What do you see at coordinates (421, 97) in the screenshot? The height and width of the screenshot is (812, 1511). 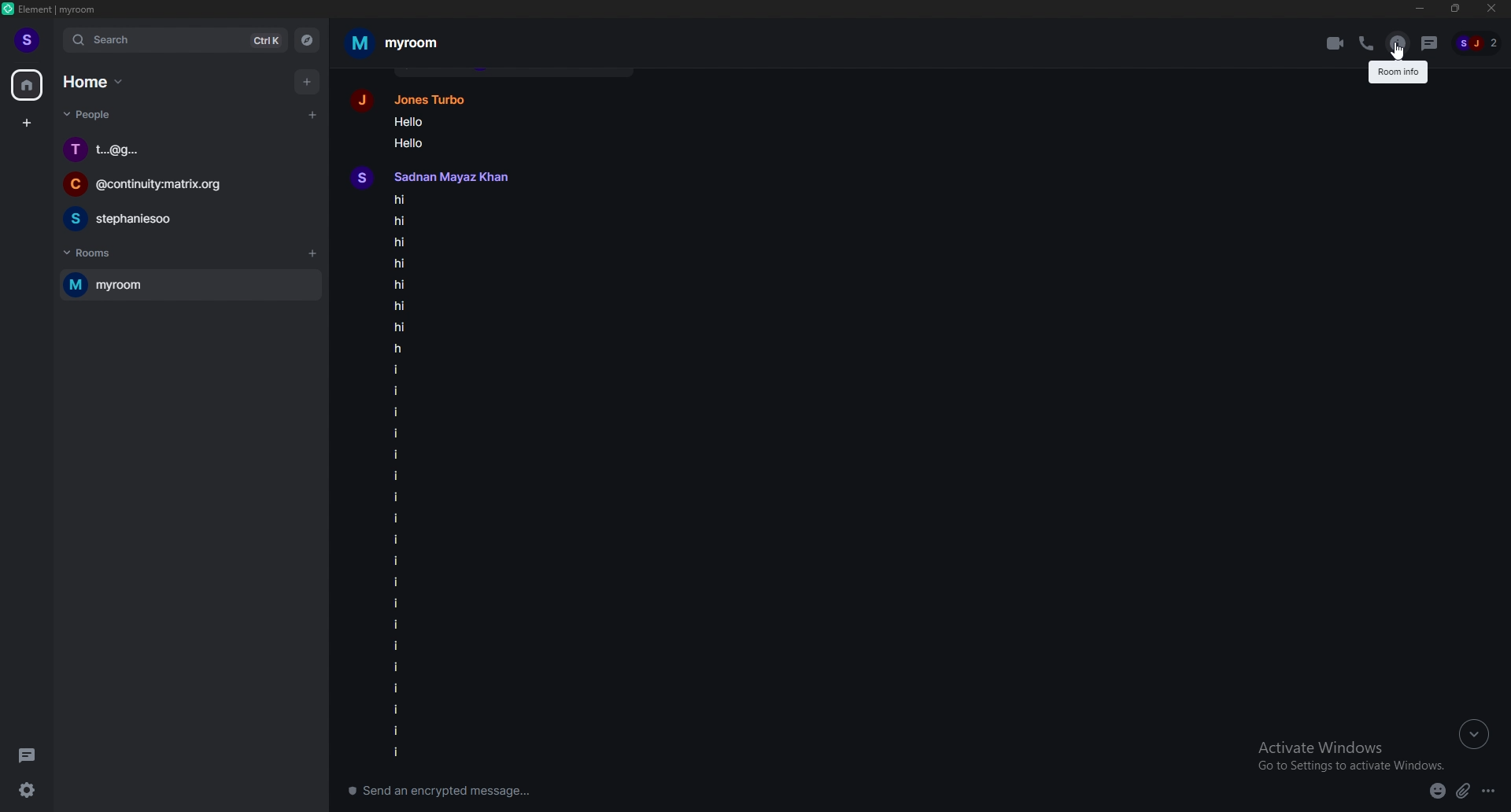 I see `user profile` at bounding box center [421, 97].